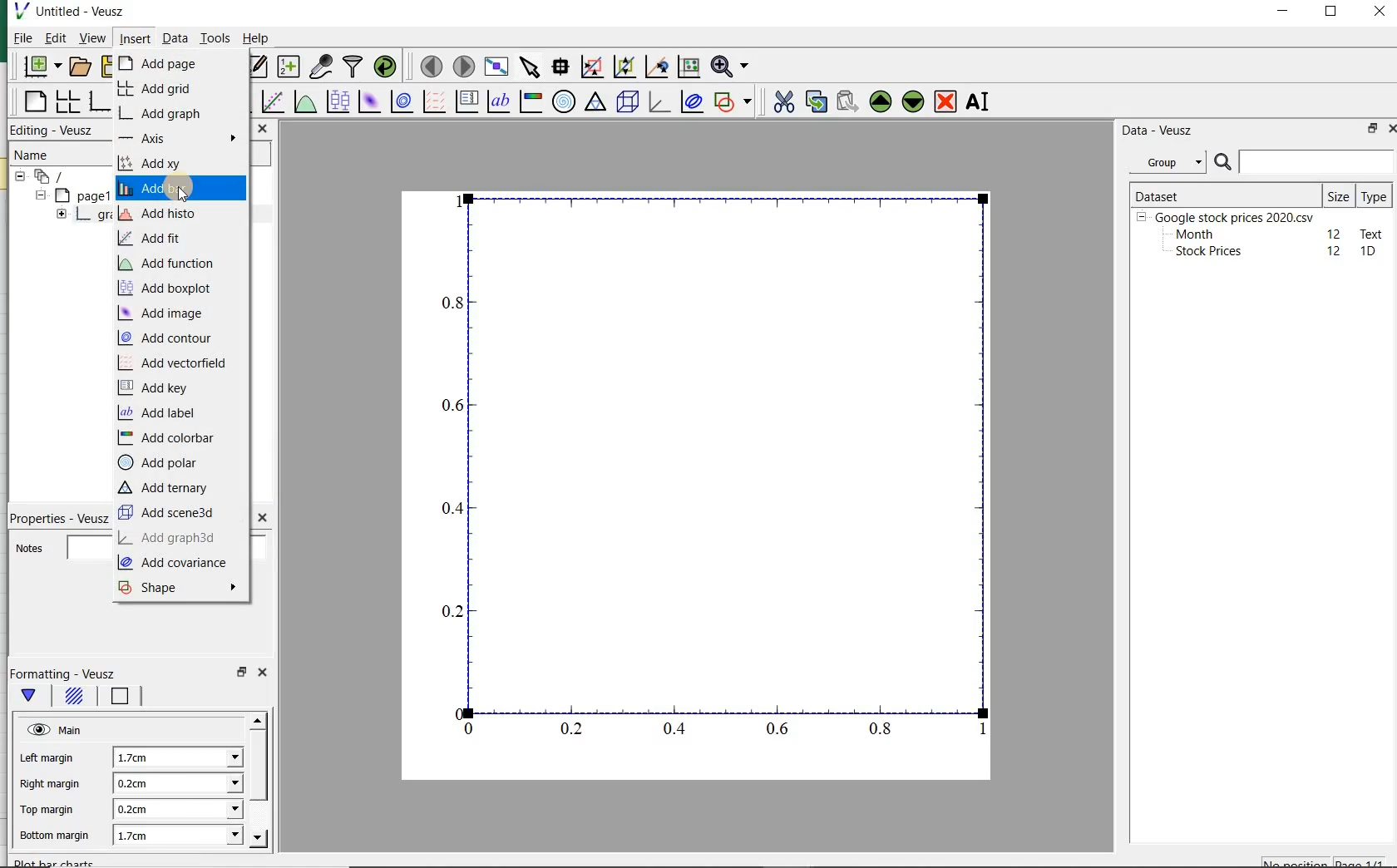  I want to click on plot key, so click(466, 103).